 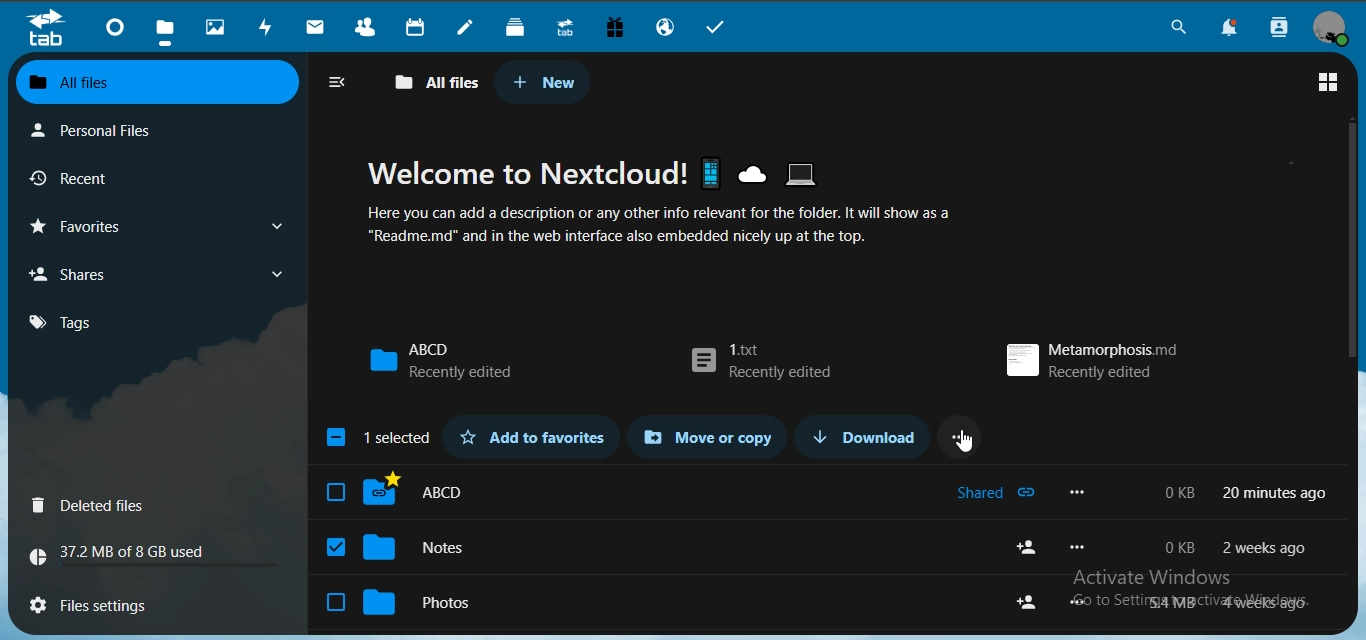 What do you see at coordinates (1093, 357) in the screenshot?
I see `metamorphosis.md recently edited` at bounding box center [1093, 357].